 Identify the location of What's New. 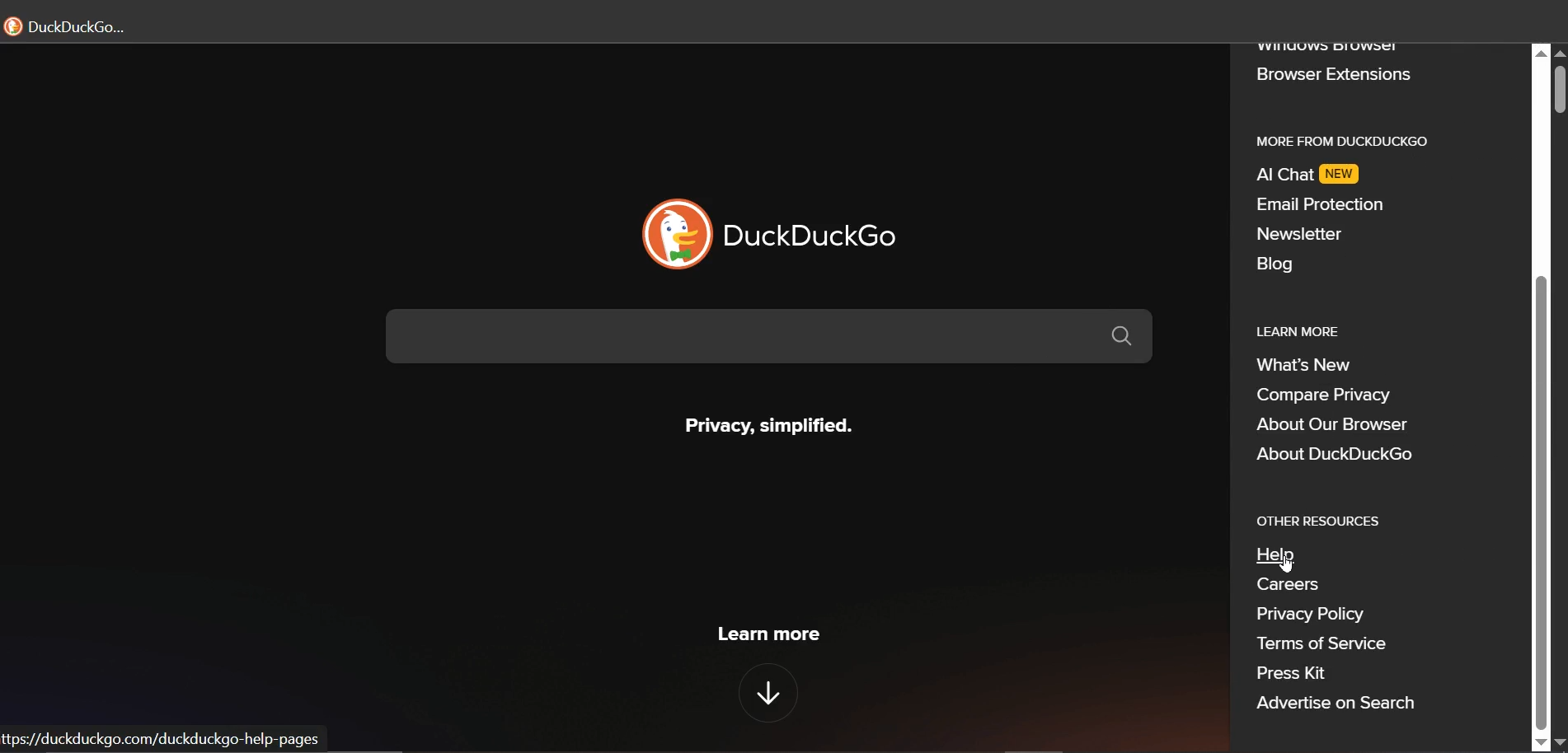
(1310, 366).